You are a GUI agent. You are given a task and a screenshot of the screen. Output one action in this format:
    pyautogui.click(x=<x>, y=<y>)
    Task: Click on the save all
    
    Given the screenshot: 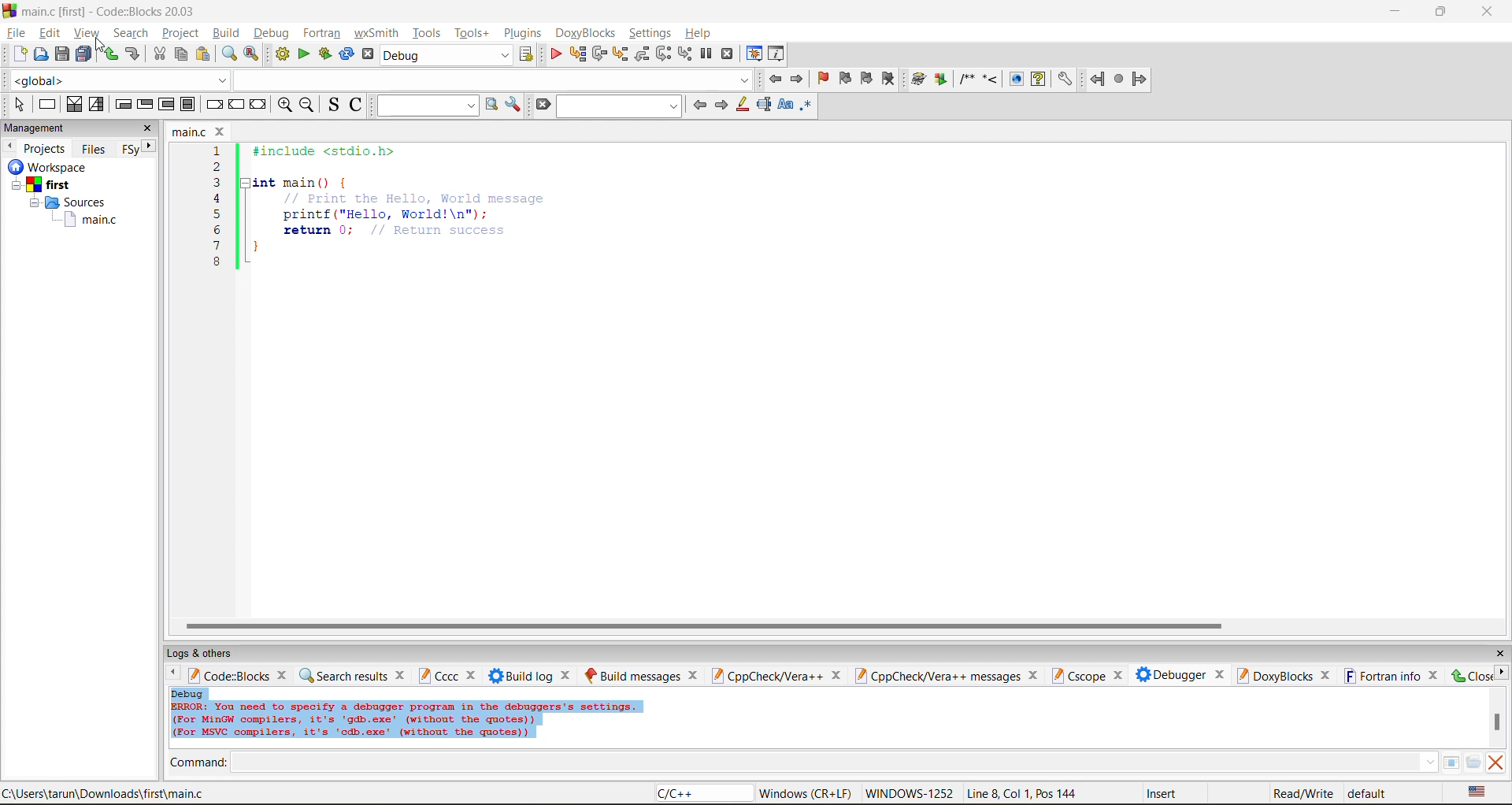 What is the action you would take?
    pyautogui.click(x=87, y=54)
    